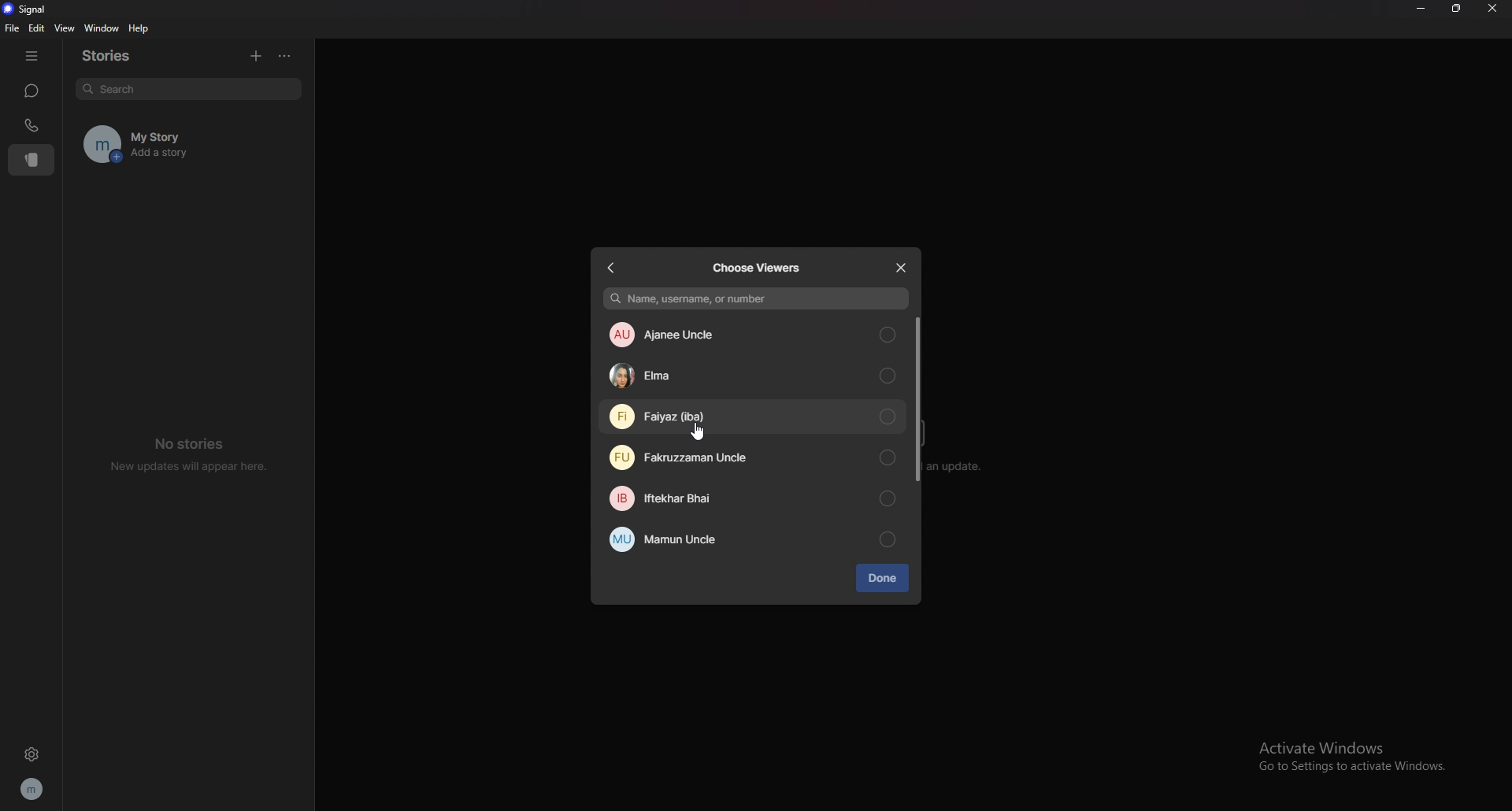 The image size is (1512, 811). I want to click on name, username, or number, so click(757, 299).